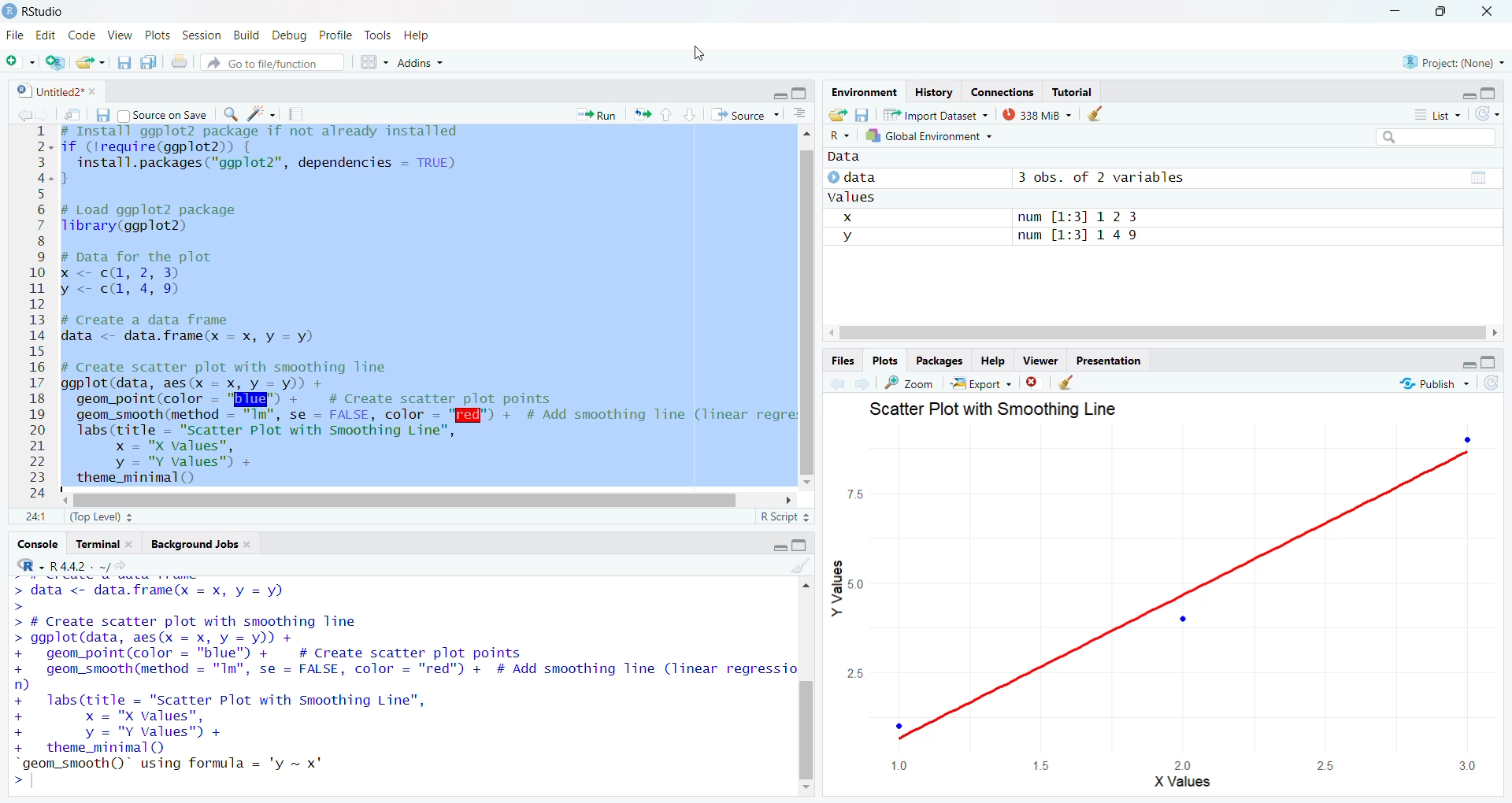 This screenshot has width=1512, height=803. What do you see at coordinates (106, 544) in the screenshot?
I see `Terminal` at bounding box center [106, 544].